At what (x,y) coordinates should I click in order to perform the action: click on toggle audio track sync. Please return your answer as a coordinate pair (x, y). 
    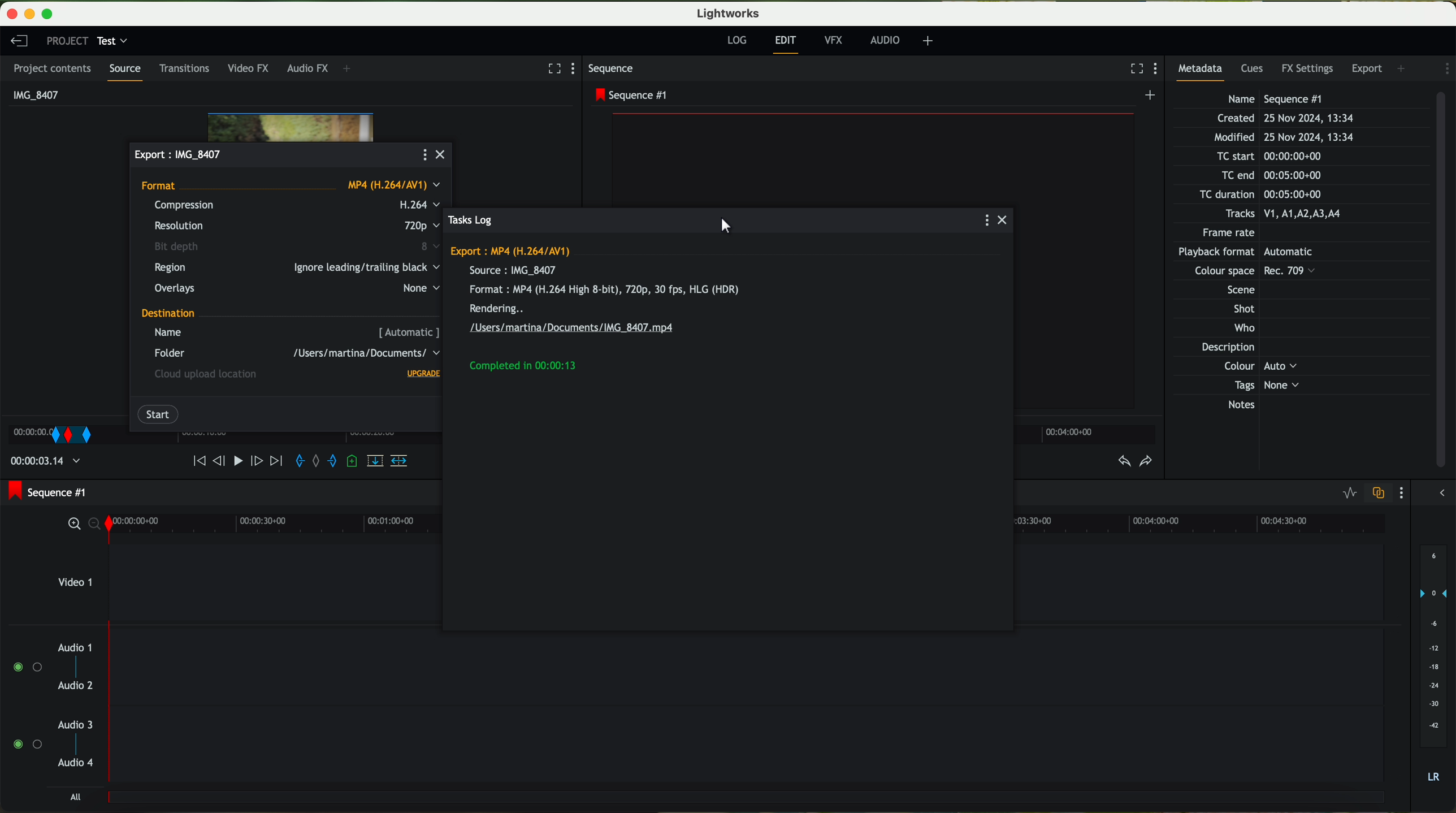
    Looking at the image, I should click on (1380, 493).